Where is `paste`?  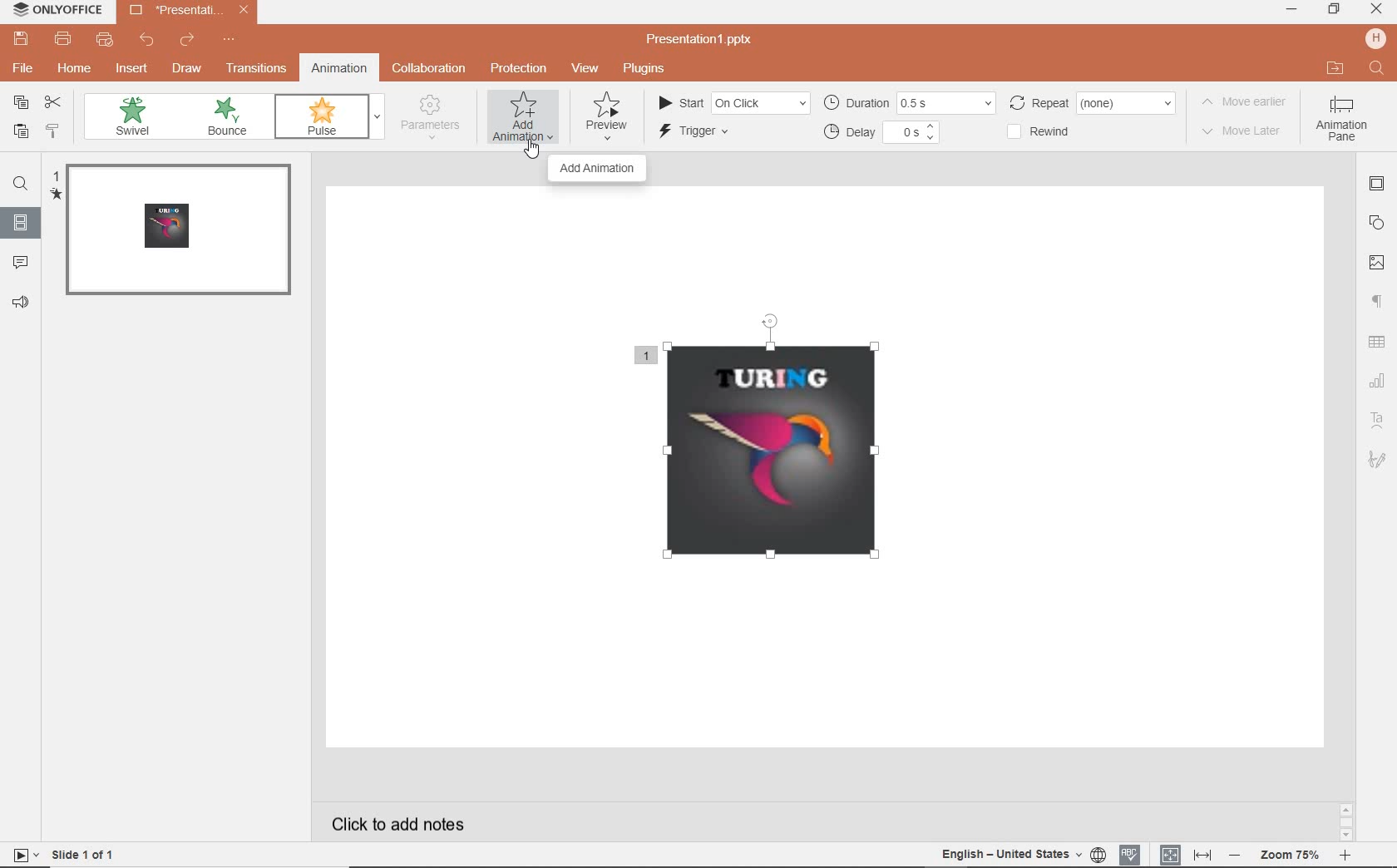
paste is located at coordinates (22, 134).